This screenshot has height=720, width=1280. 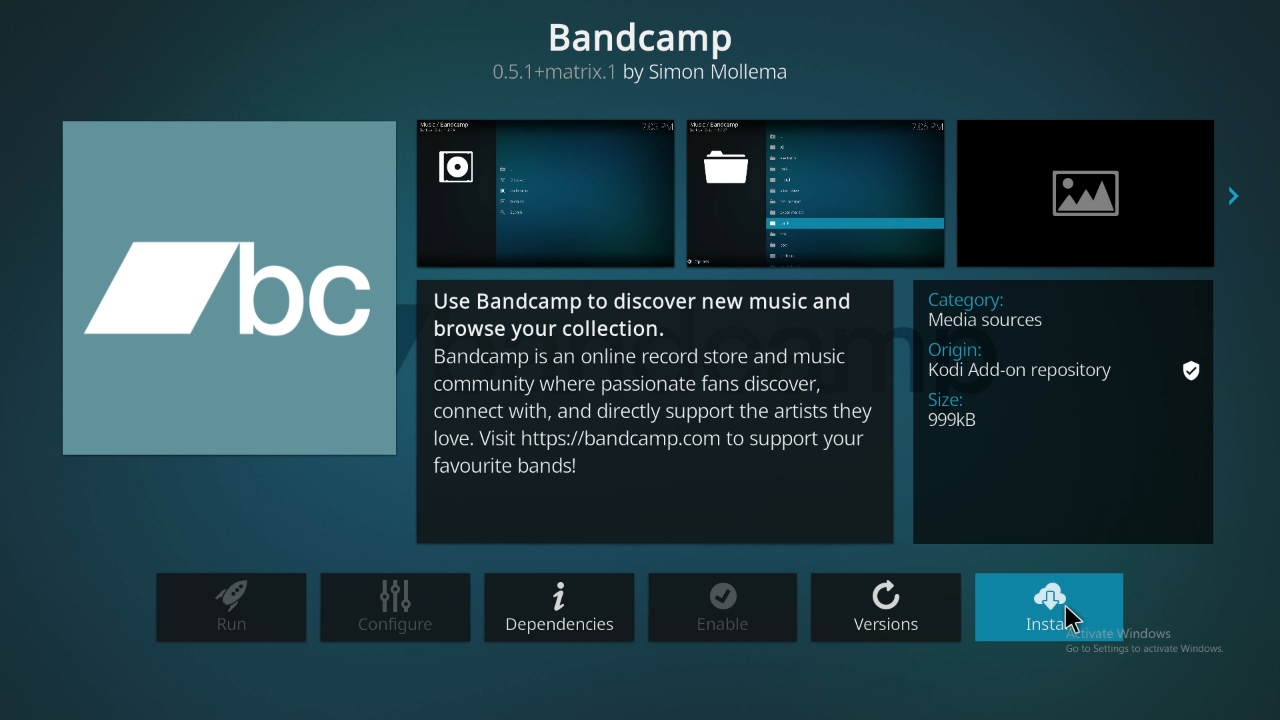 I want to click on preview, so click(x=547, y=193).